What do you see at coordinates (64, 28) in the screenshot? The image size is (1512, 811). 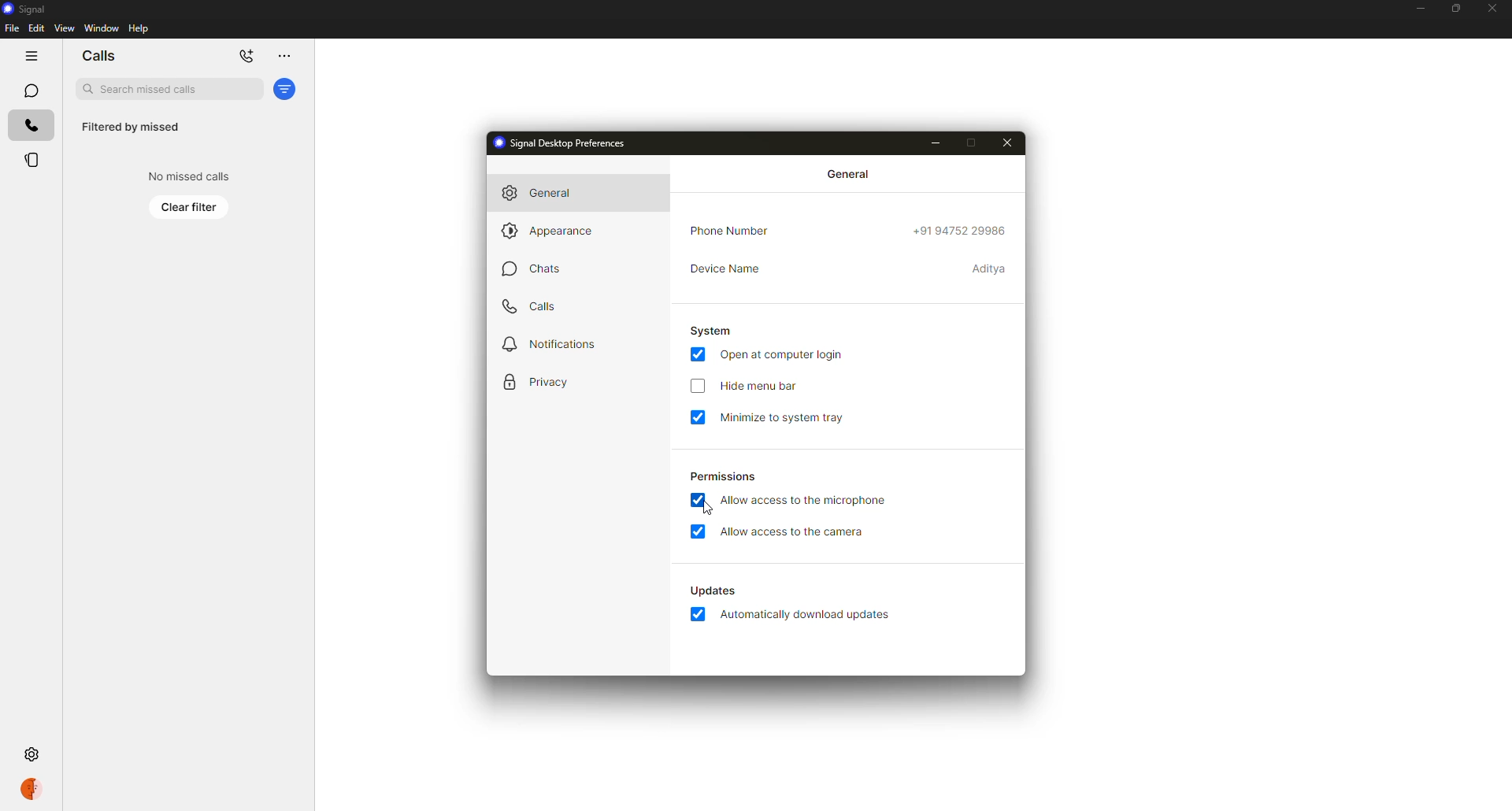 I see `view` at bounding box center [64, 28].